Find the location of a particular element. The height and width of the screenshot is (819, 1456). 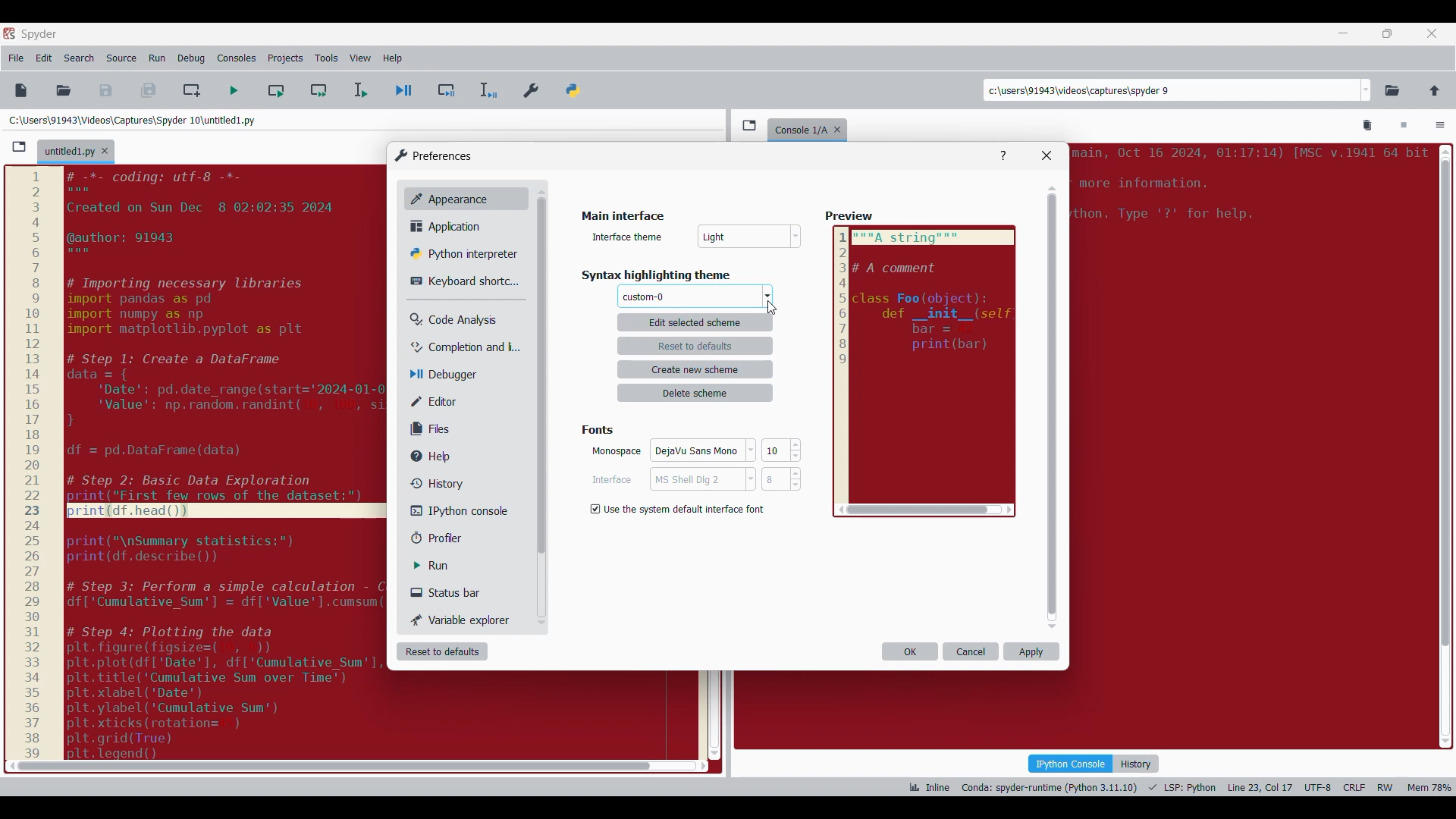

Code details is located at coordinates (1178, 787).